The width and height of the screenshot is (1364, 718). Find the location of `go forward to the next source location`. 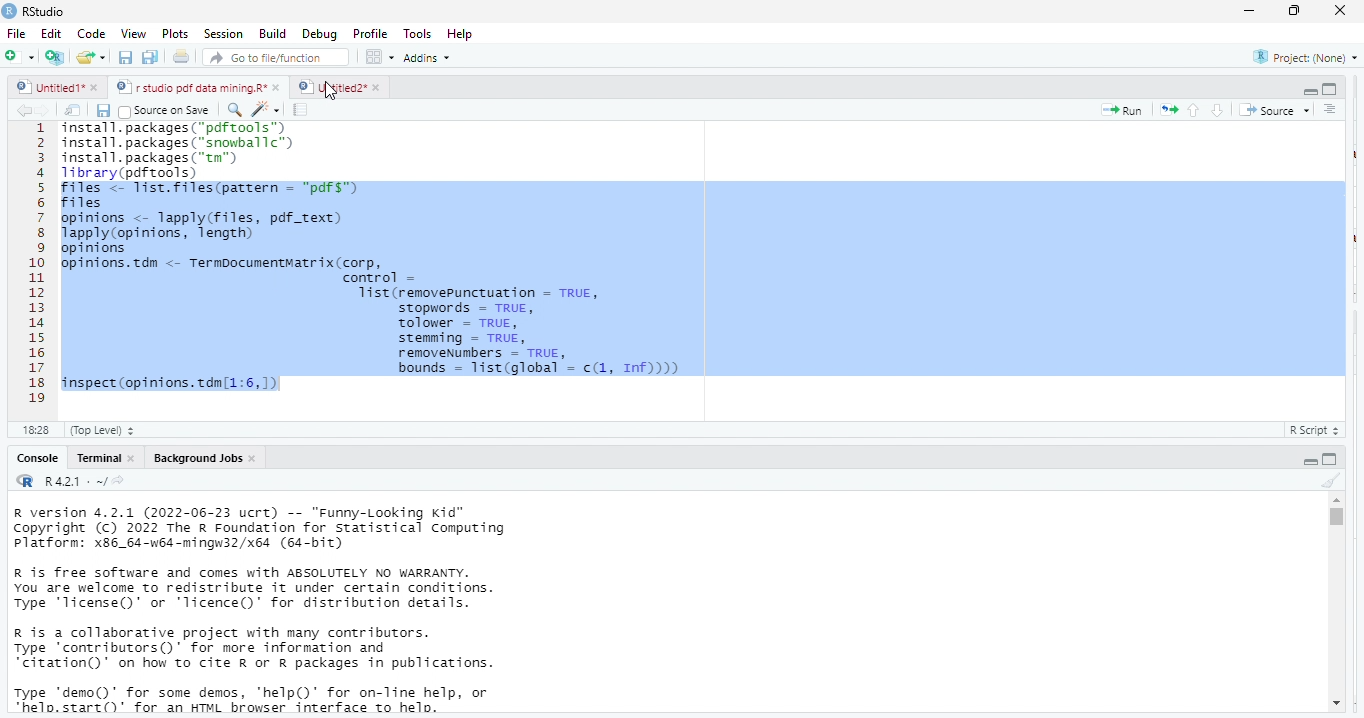

go forward to the next source location is located at coordinates (47, 110).